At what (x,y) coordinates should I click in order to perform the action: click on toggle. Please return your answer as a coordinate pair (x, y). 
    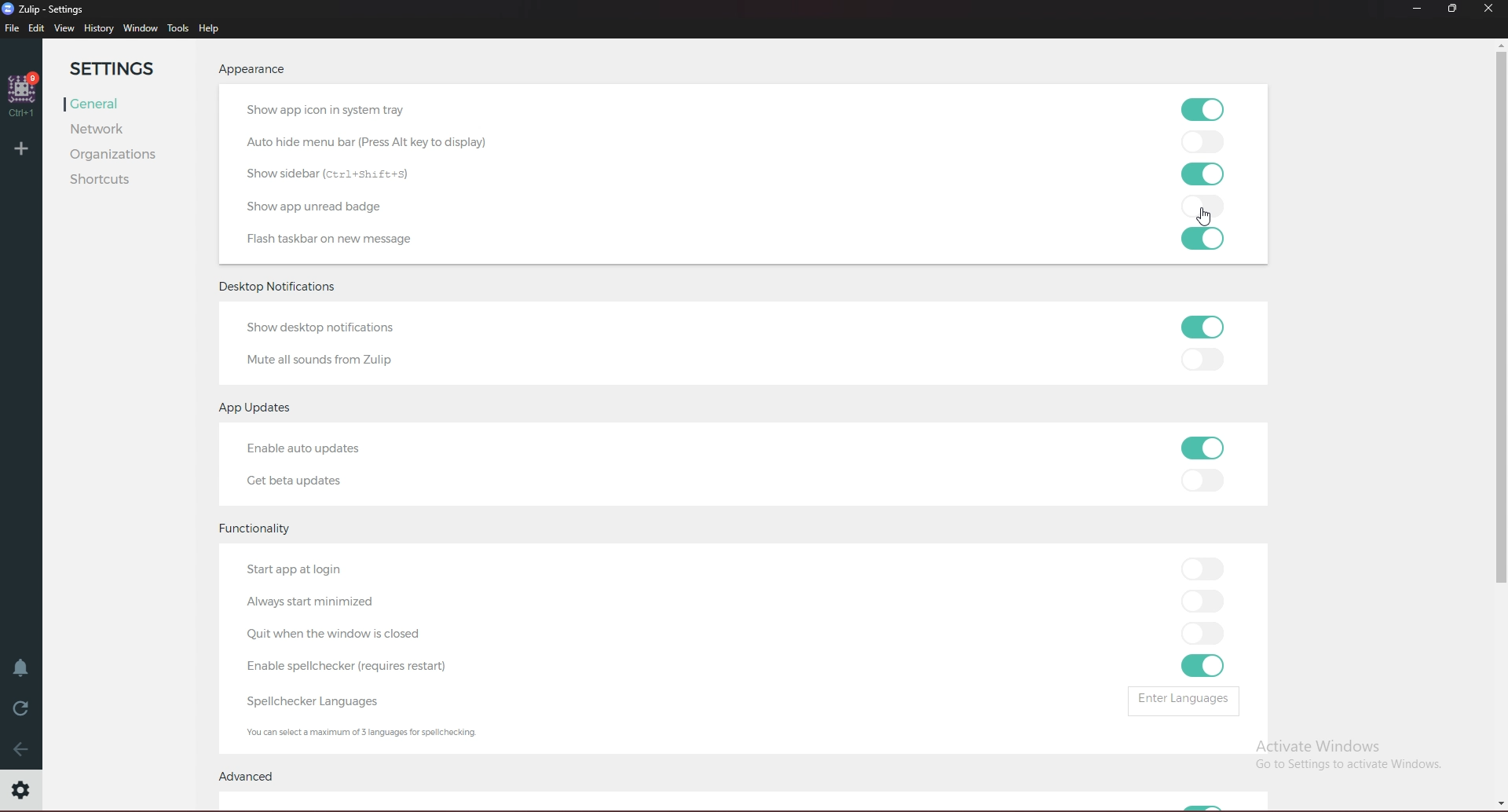
    Looking at the image, I should click on (1204, 328).